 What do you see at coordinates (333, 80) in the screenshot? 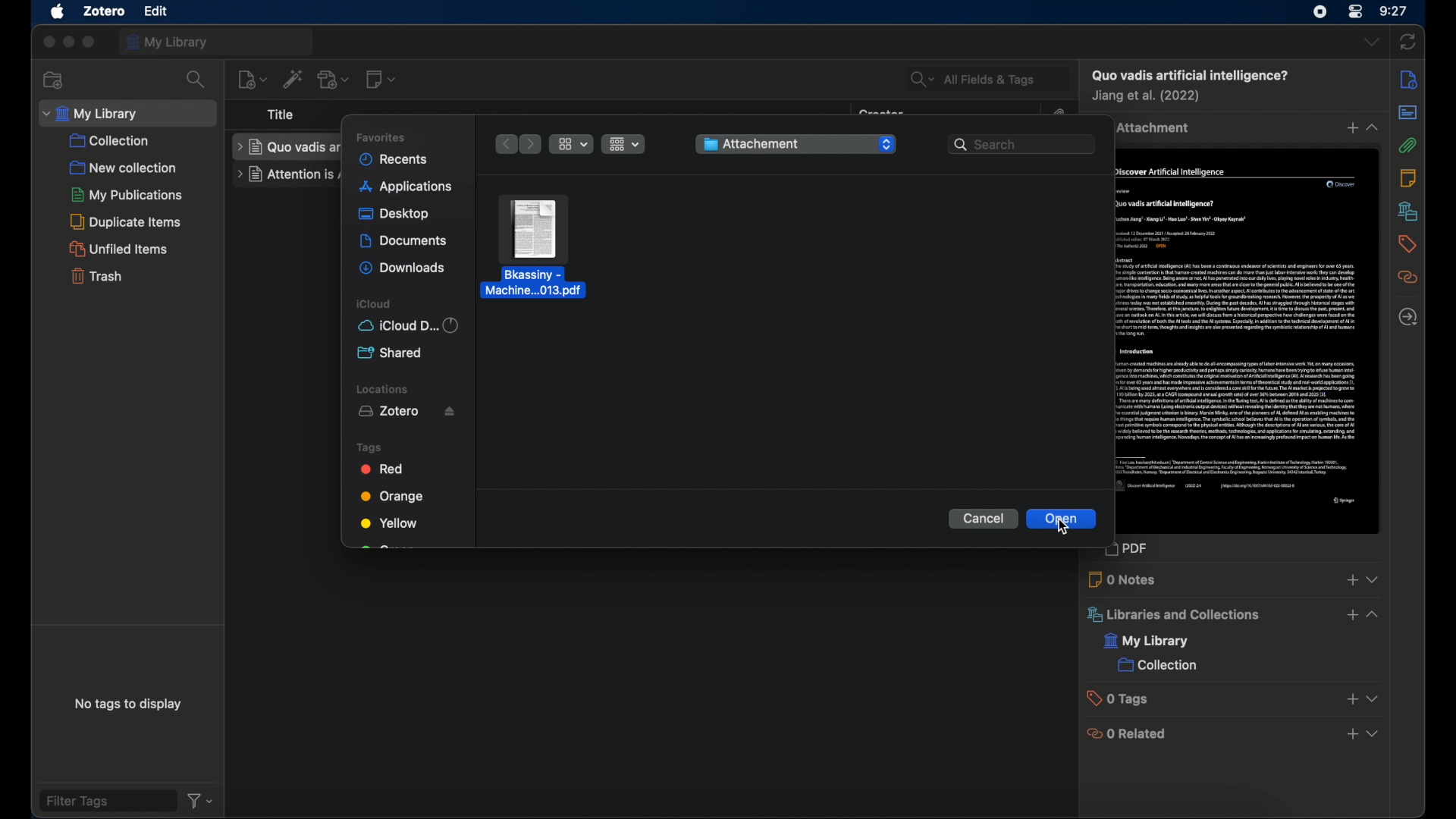
I see `add attachment` at bounding box center [333, 80].